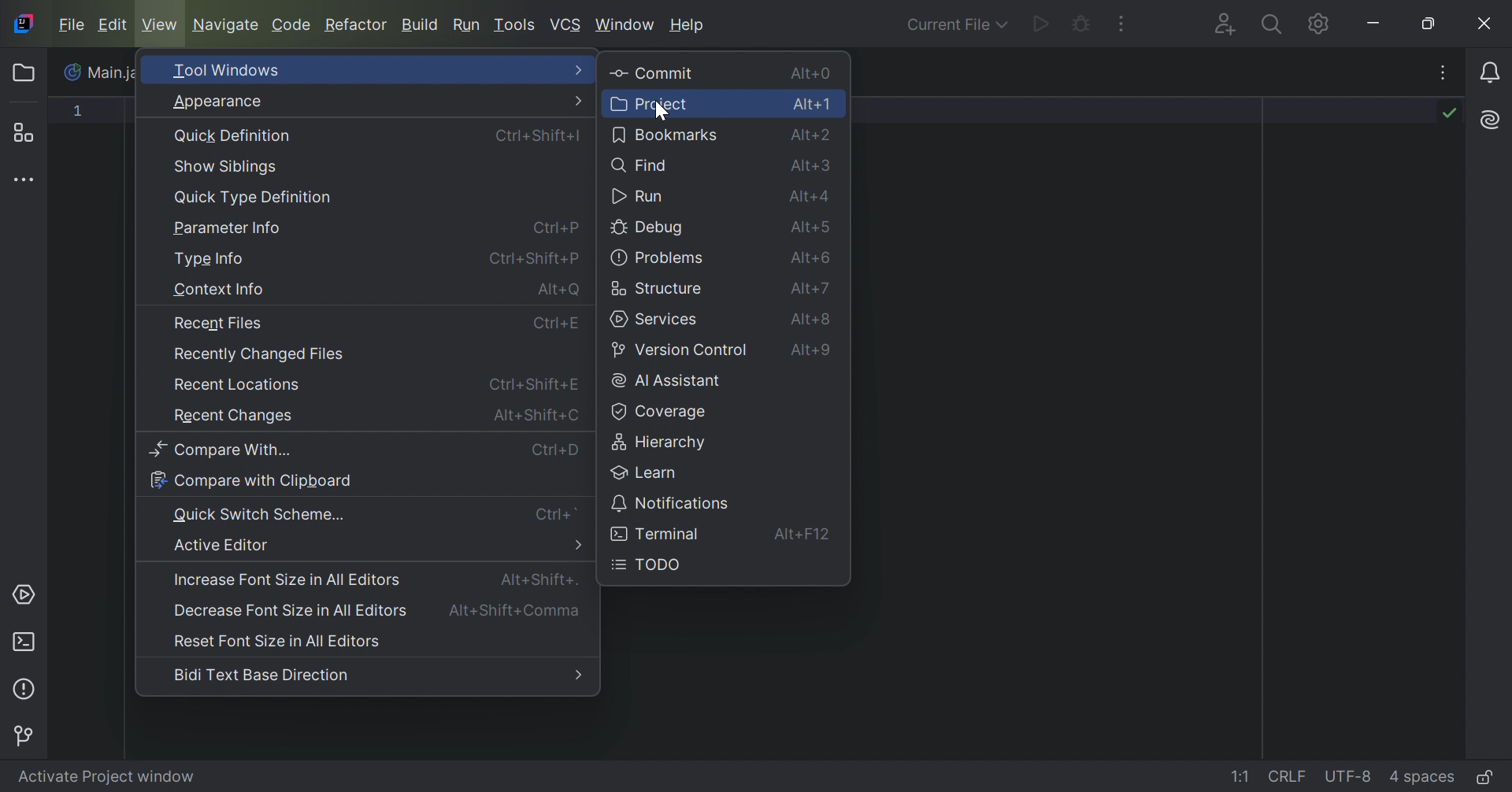 Image resolution: width=1512 pixels, height=792 pixels. What do you see at coordinates (118, 775) in the screenshot?
I see `activate project window` at bounding box center [118, 775].